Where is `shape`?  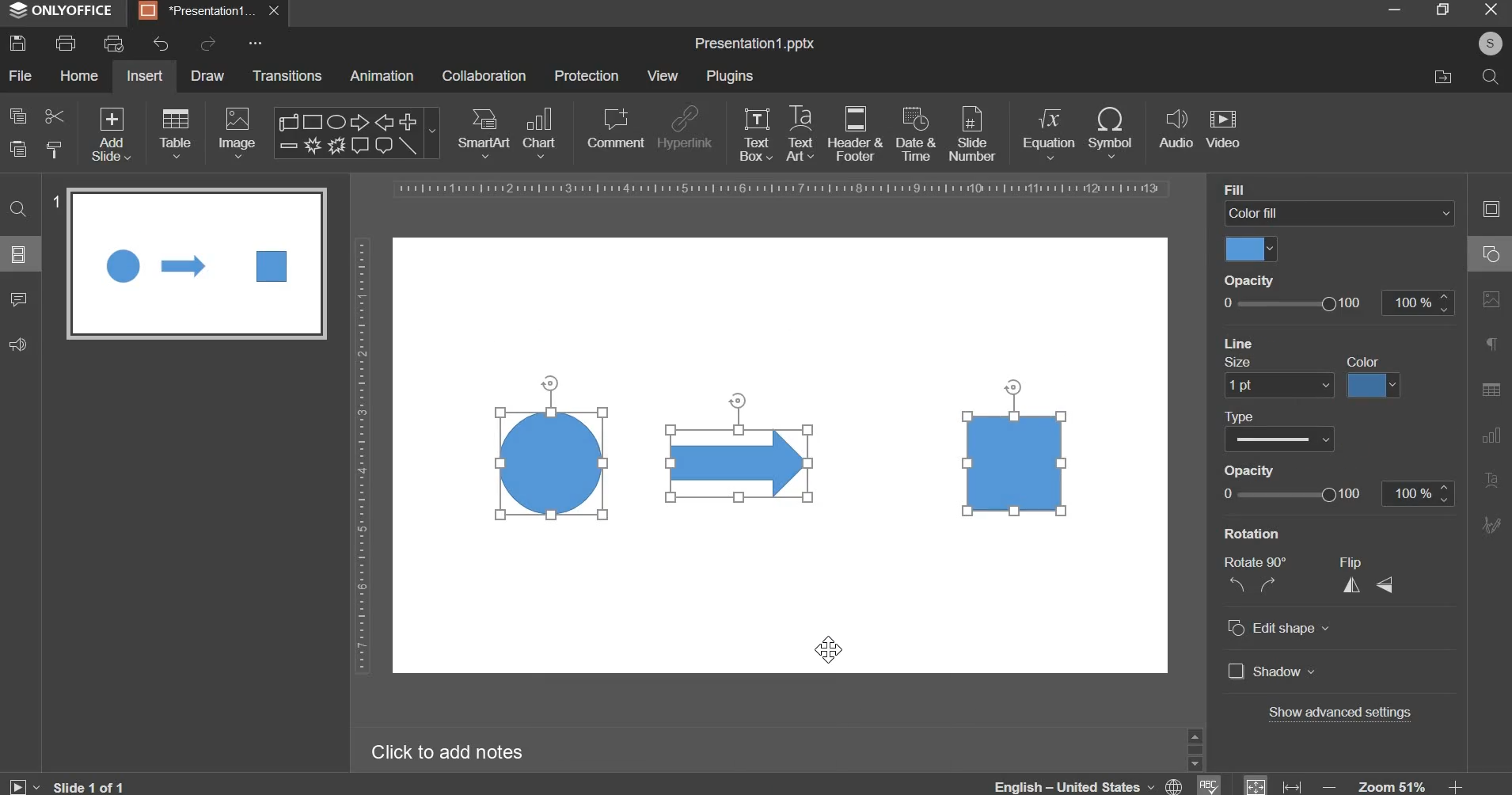
shape is located at coordinates (355, 133).